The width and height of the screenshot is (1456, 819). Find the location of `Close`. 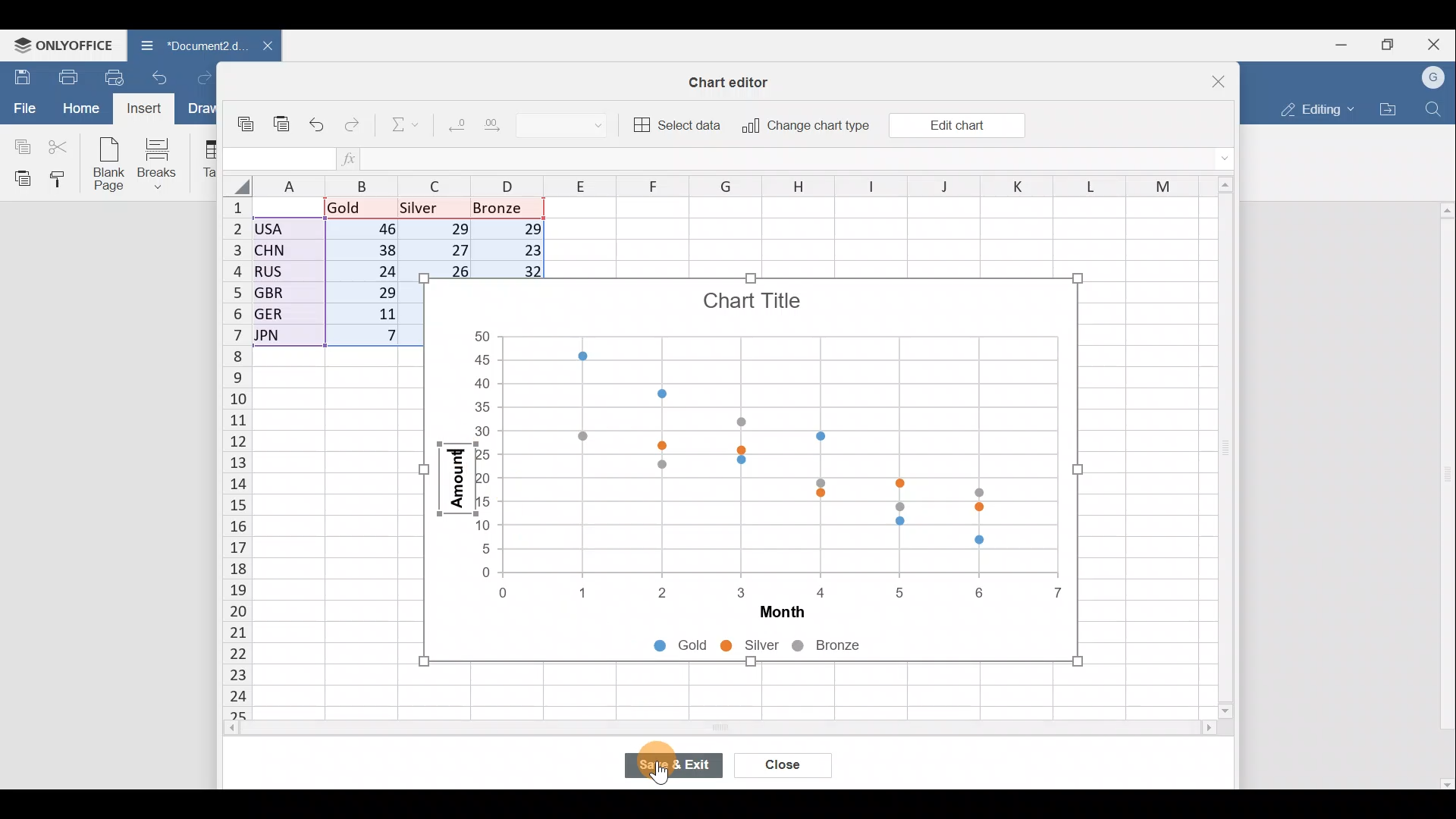

Close is located at coordinates (1209, 76).